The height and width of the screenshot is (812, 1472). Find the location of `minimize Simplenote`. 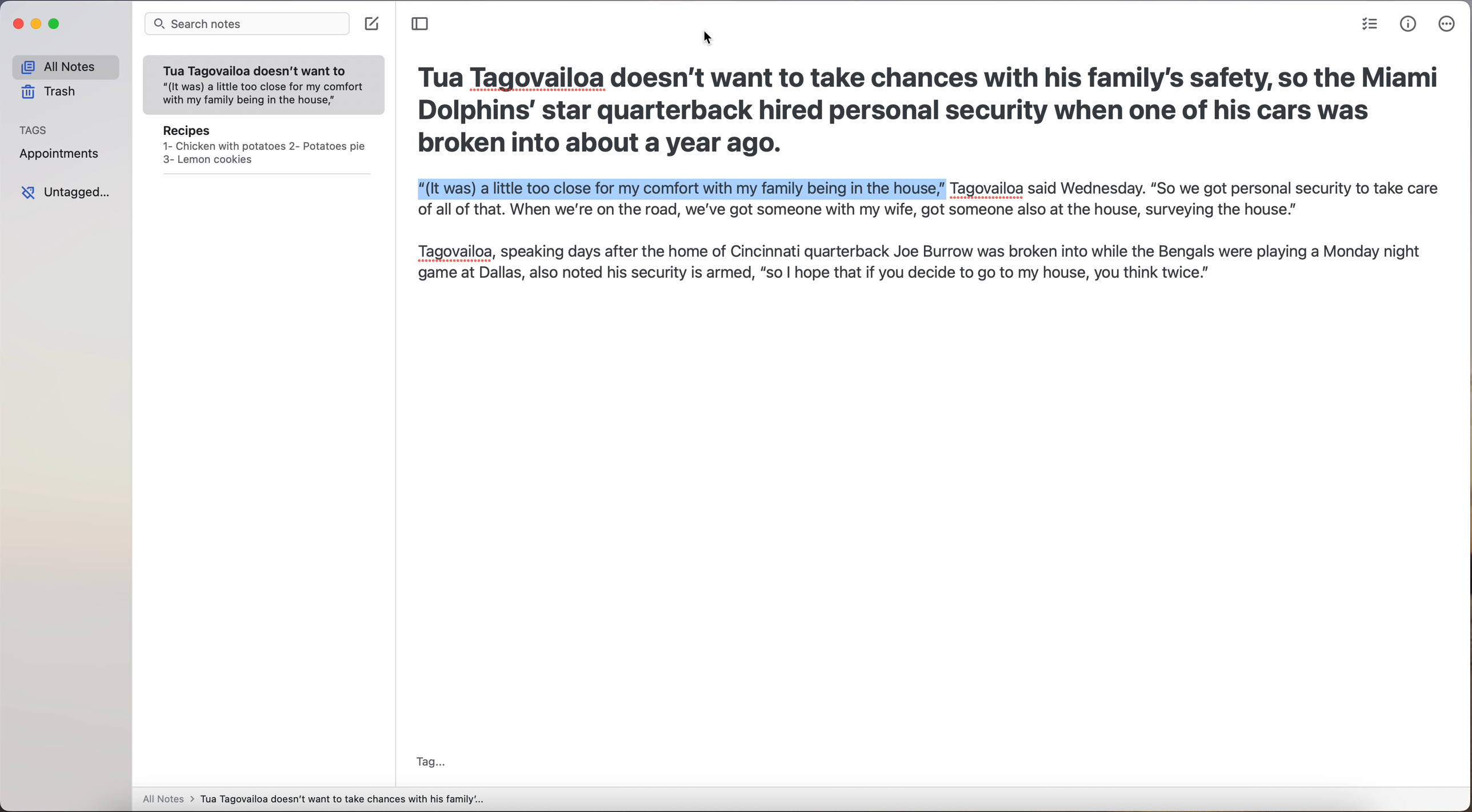

minimize Simplenote is located at coordinates (38, 24).